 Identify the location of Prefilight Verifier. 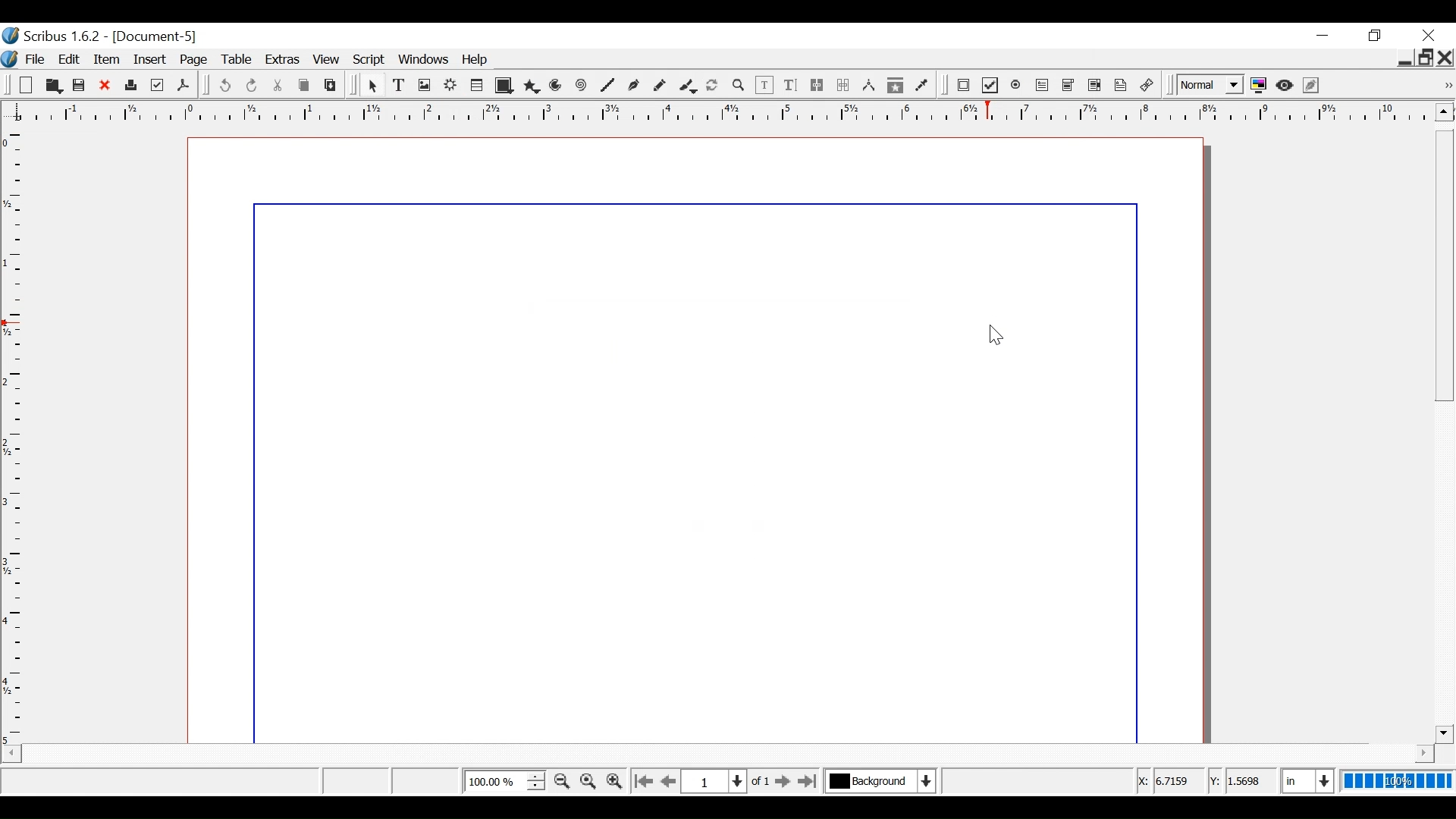
(157, 86).